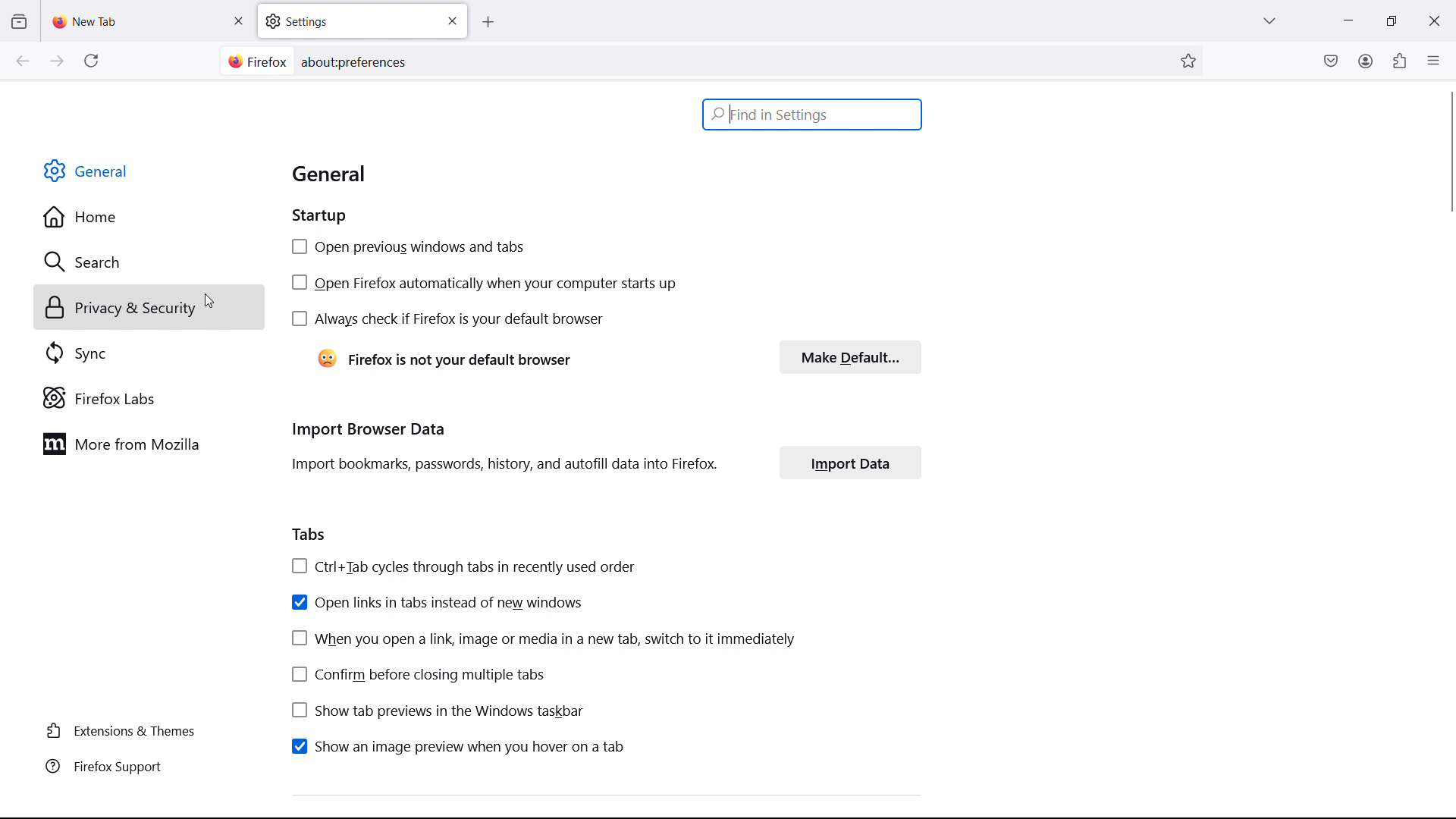 The width and height of the screenshot is (1456, 819). Describe the element at coordinates (321, 214) in the screenshot. I see `startup` at that location.